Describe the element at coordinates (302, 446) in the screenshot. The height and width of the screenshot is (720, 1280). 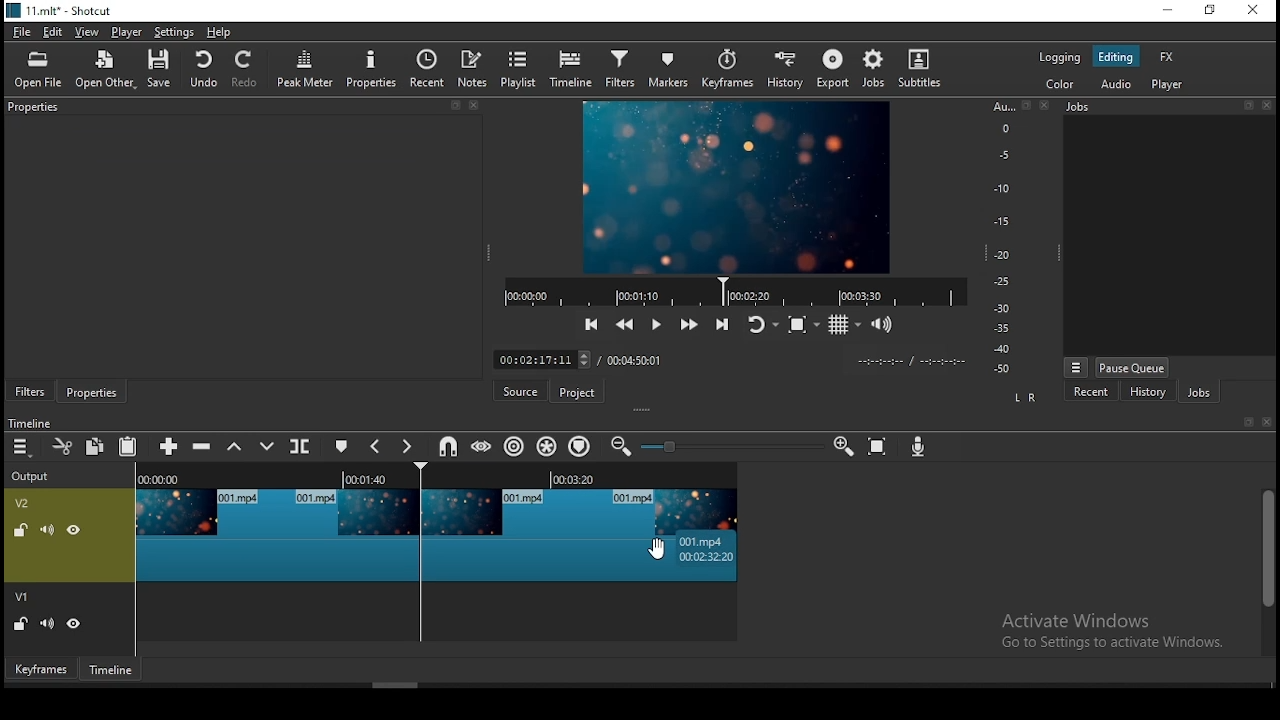
I see `split at playhead` at that location.